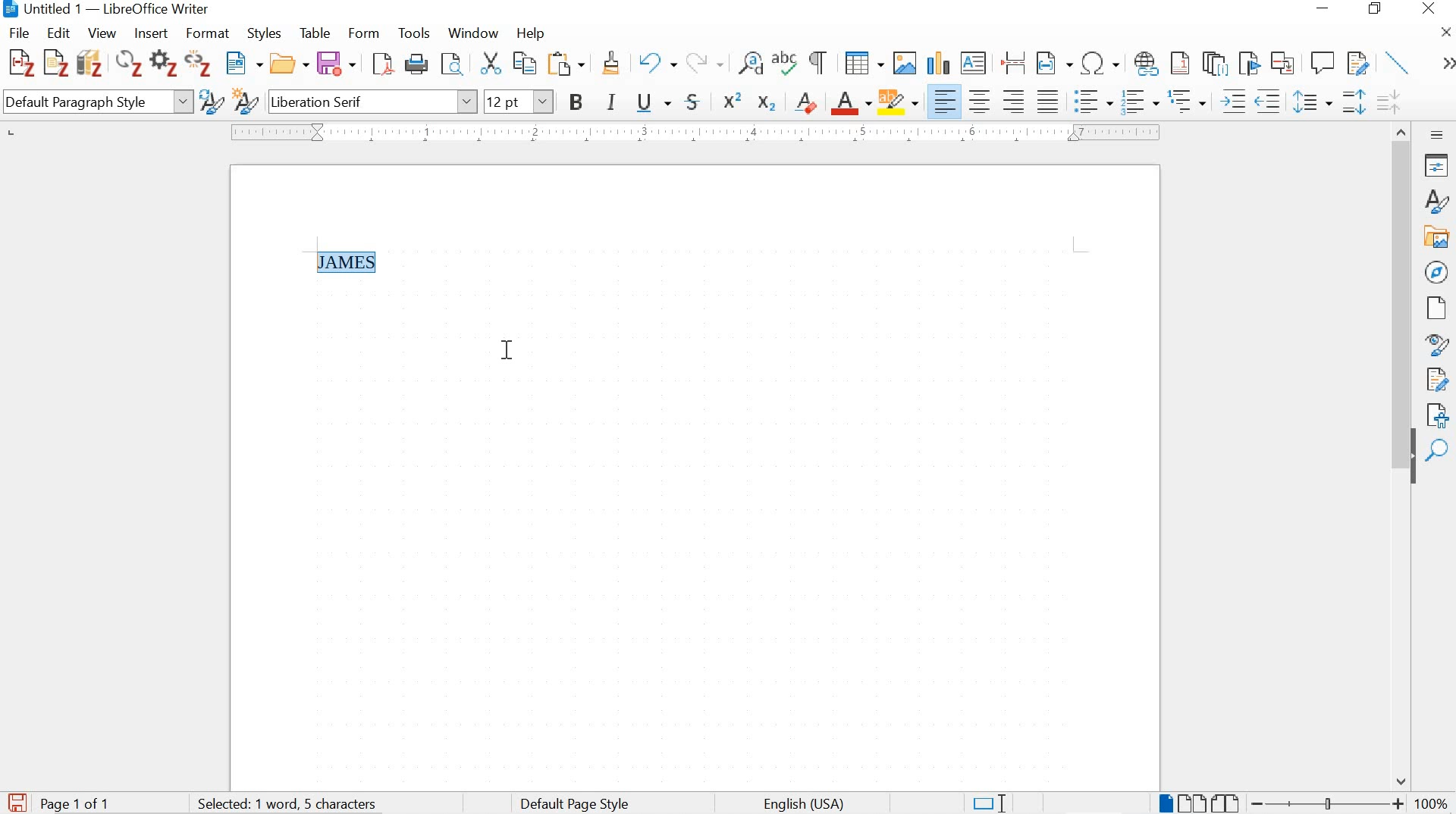  I want to click on bold, so click(578, 104).